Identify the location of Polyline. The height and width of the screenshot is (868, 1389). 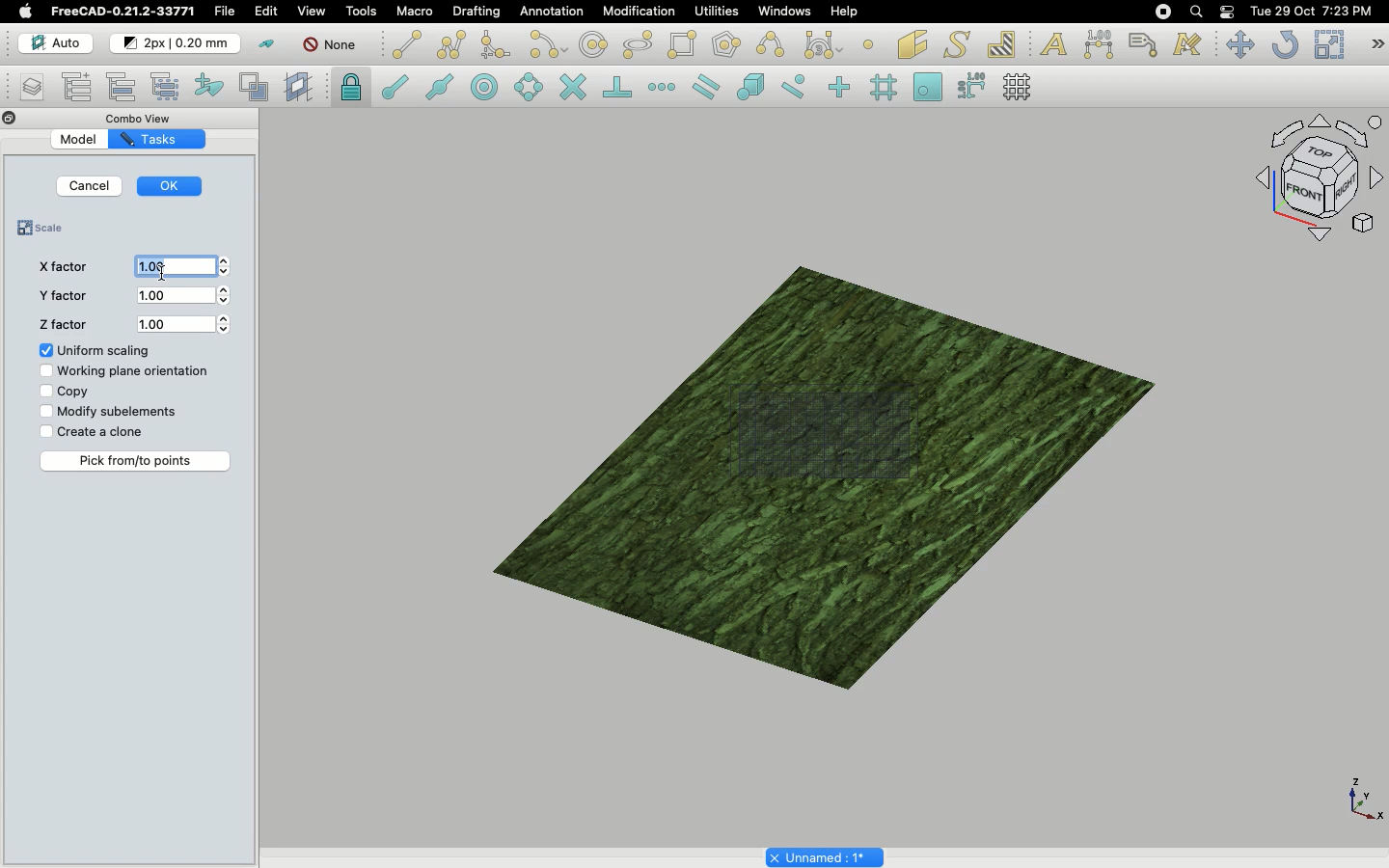
(451, 44).